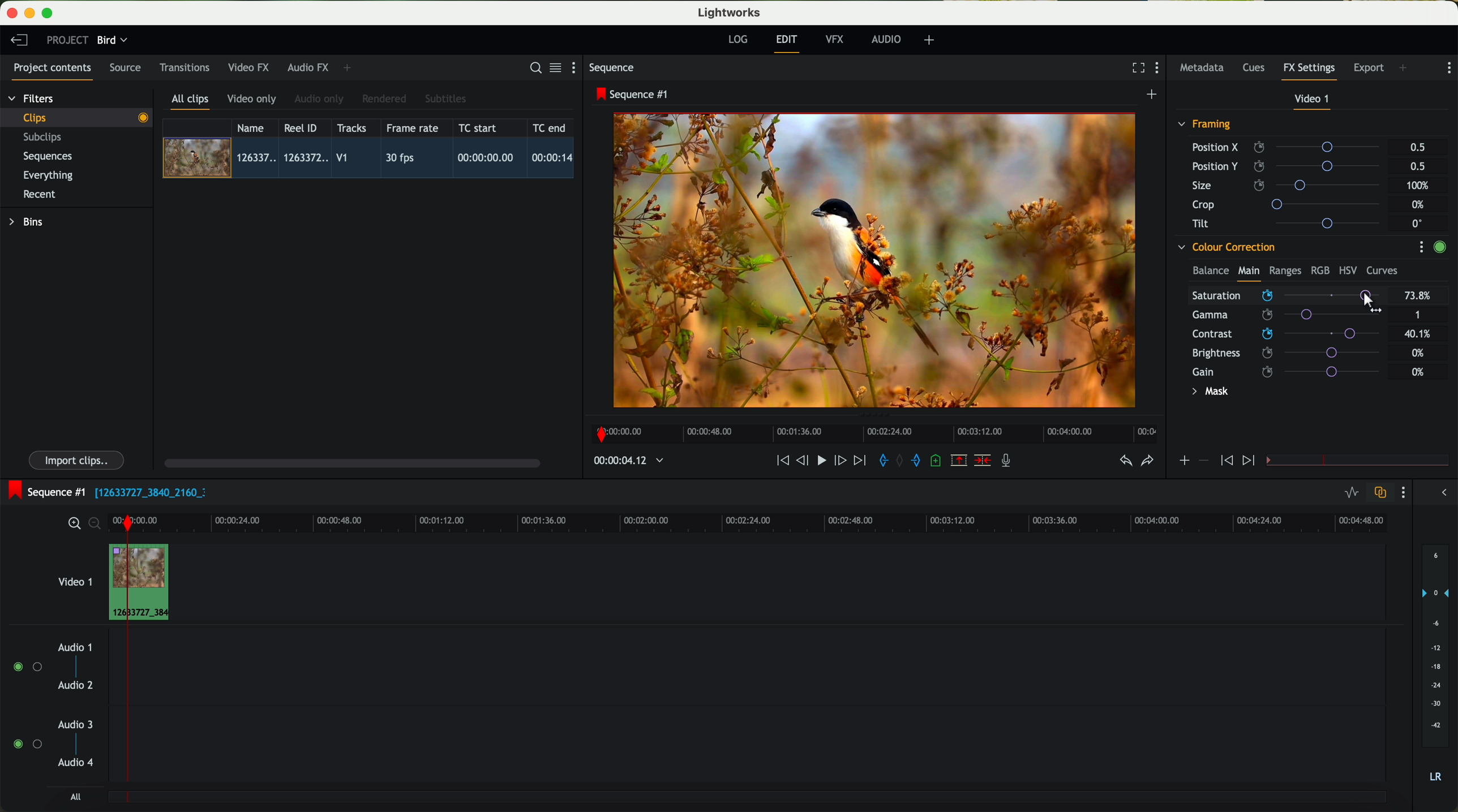 The width and height of the screenshot is (1458, 812). Describe the element at coordinates (1290, 166) in the screenshot. I see `position Y` at that location.